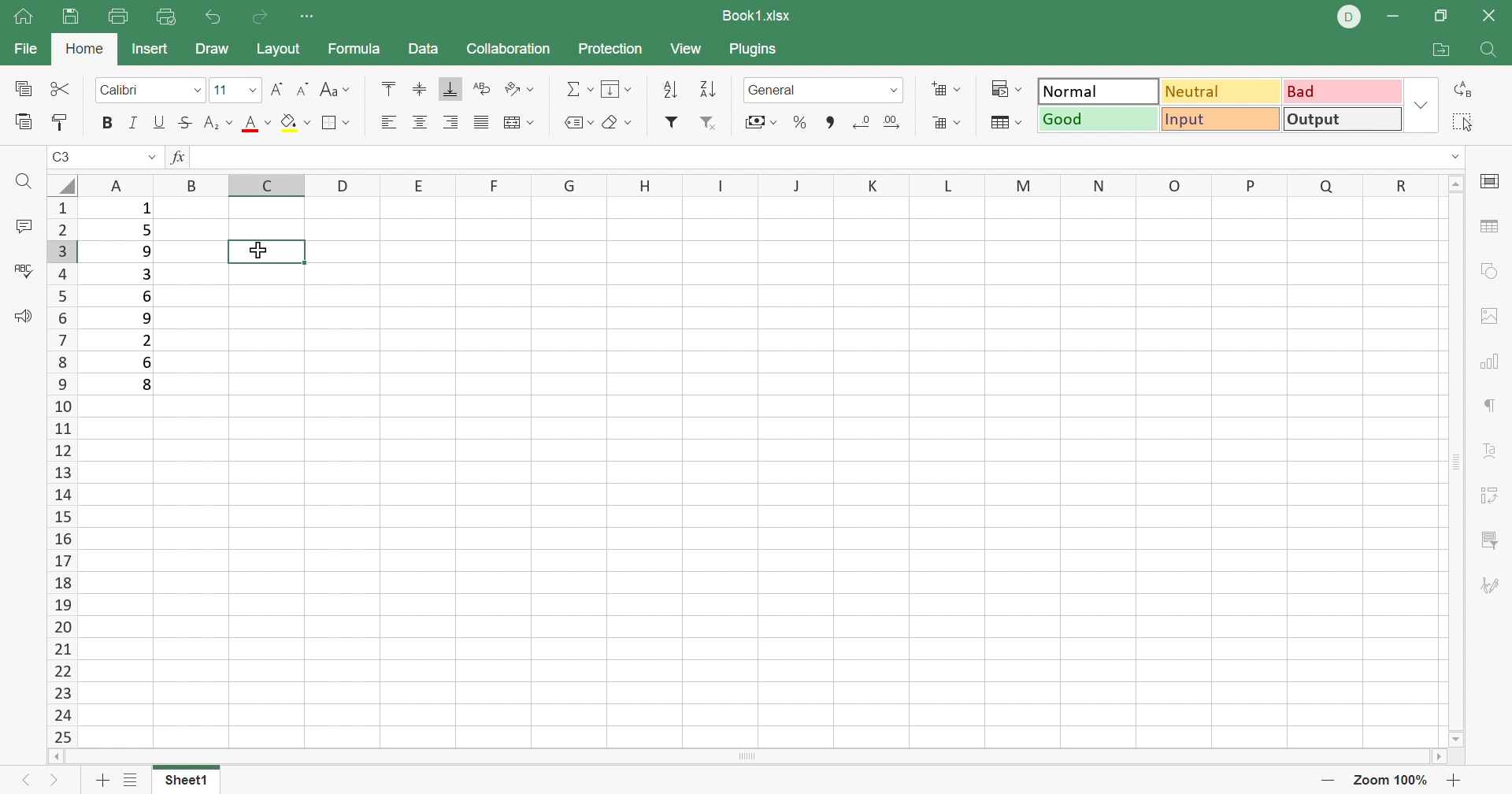 The height and width of the screenshot is (794, 1512). Describe the element at coordinates (24, 184) in the screenshot. I see `Find` at that location.